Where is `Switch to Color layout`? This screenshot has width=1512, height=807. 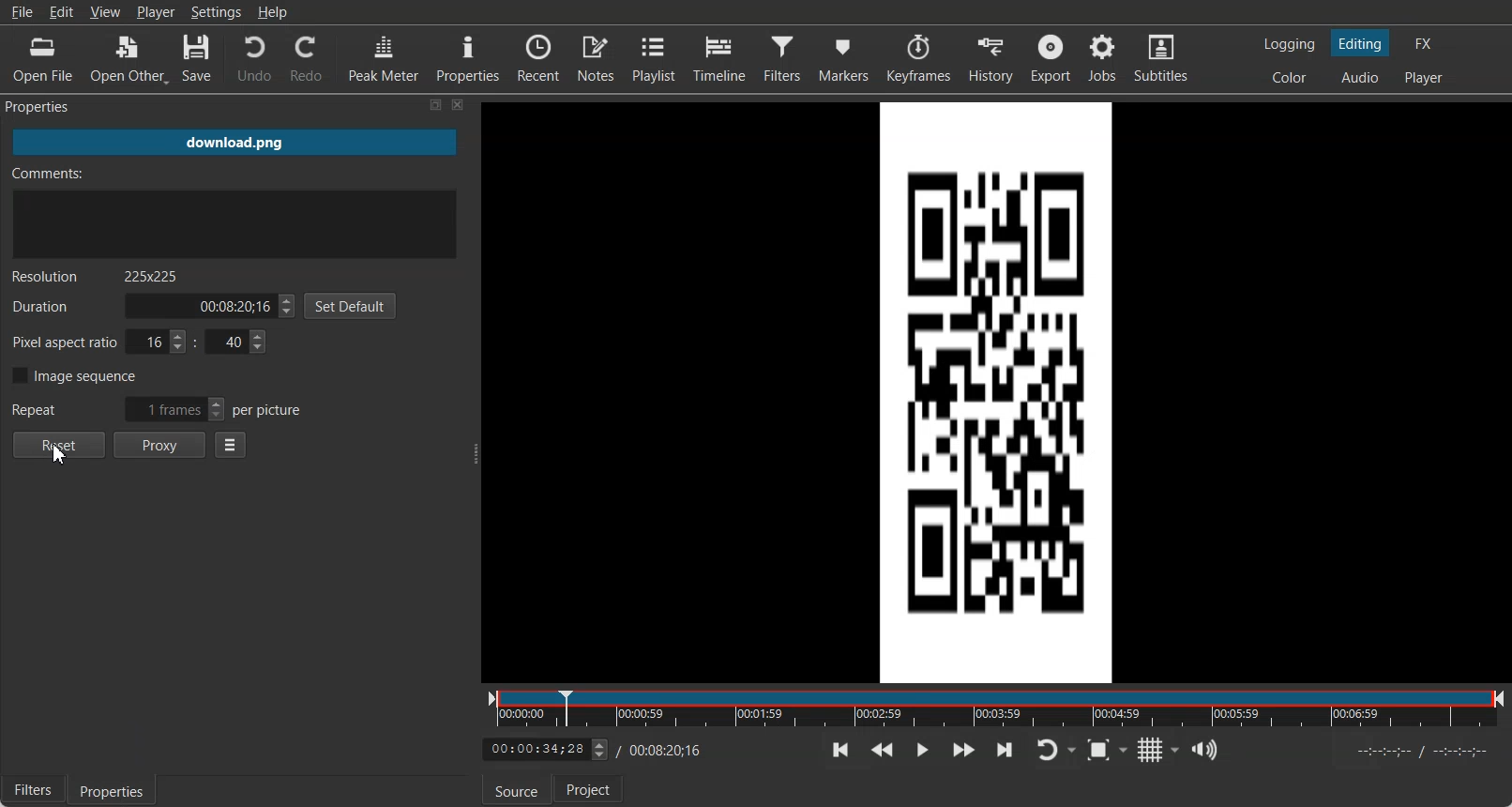
Switch to Color layout is located at coordinates (1287, 78).